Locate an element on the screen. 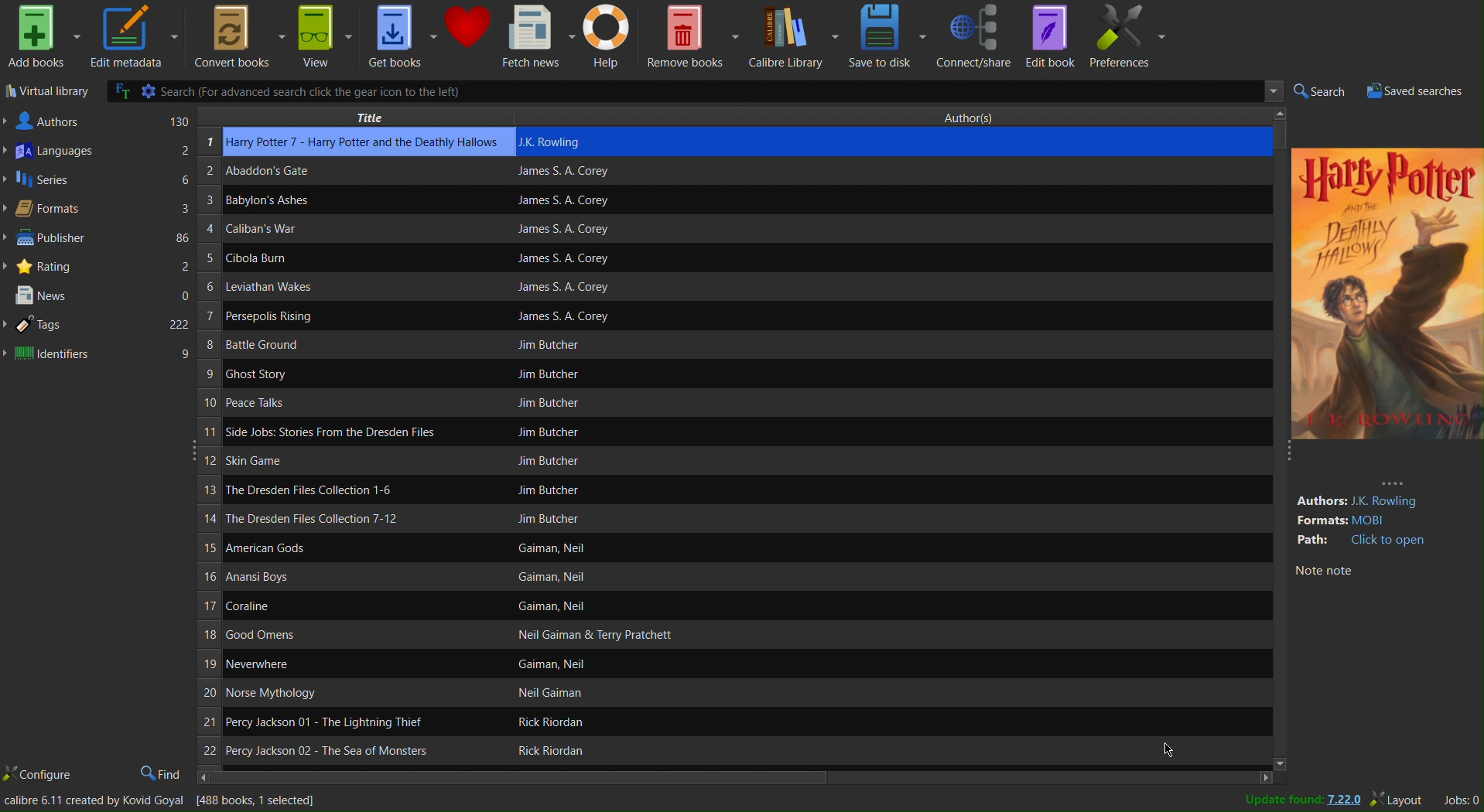 This screenshot has height=812, width=1484. authors is located at coordinates (97, 120).